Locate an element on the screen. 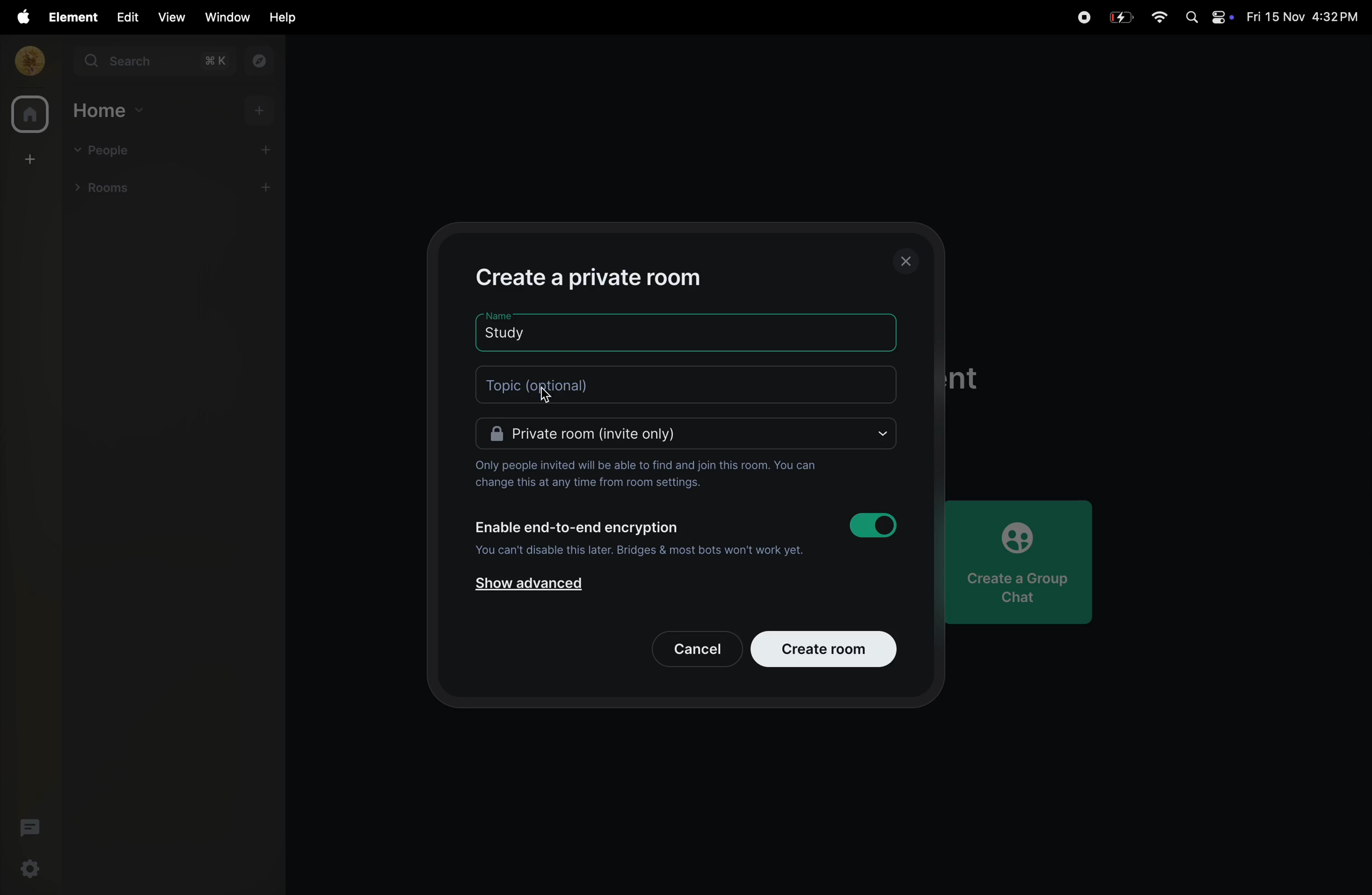 This screenshot has height=895, width=1372. view is located at coordinates (171, 17).